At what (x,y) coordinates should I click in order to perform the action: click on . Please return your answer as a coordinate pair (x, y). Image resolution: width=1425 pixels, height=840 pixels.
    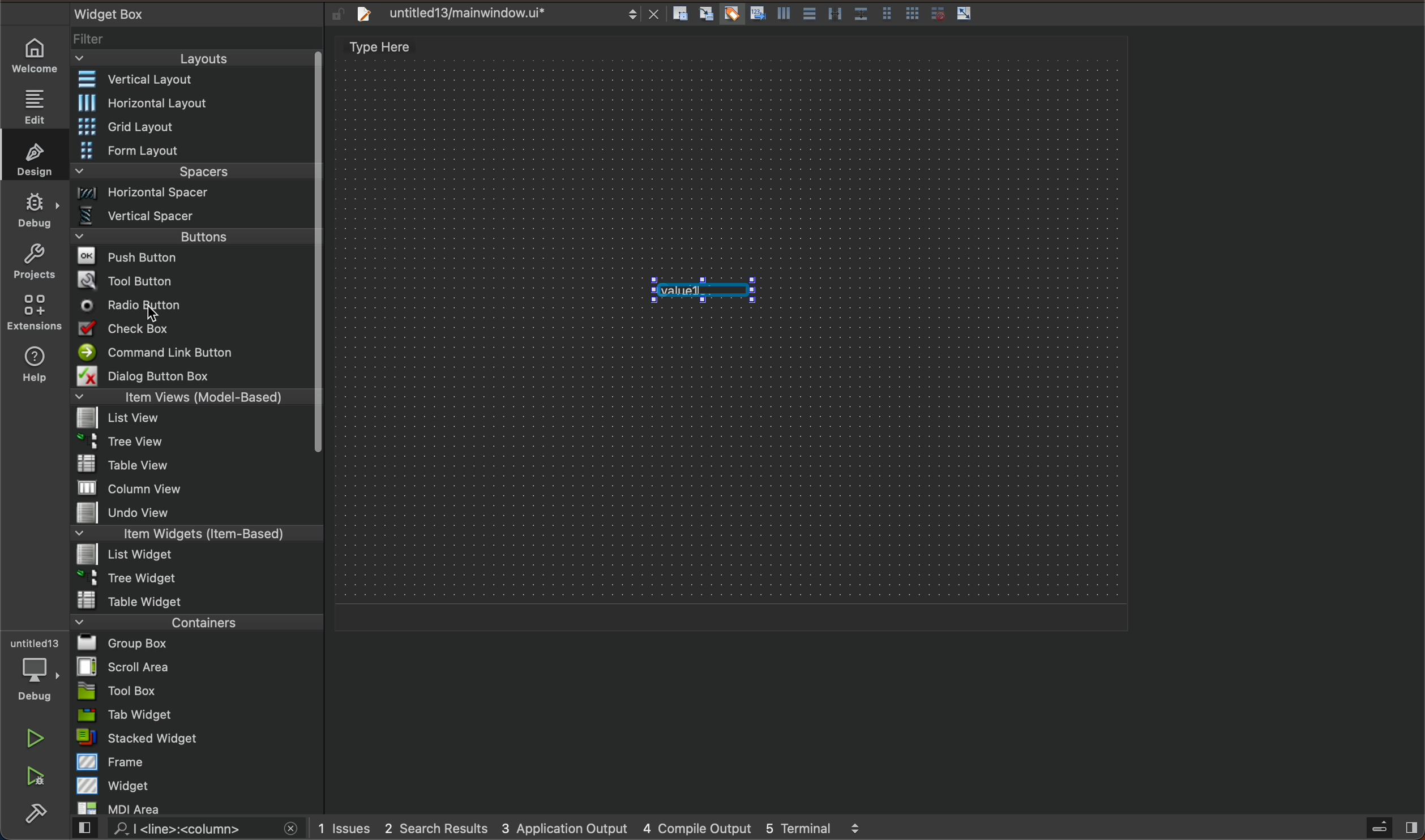
    Looking at the image, I should click on (782, 16).